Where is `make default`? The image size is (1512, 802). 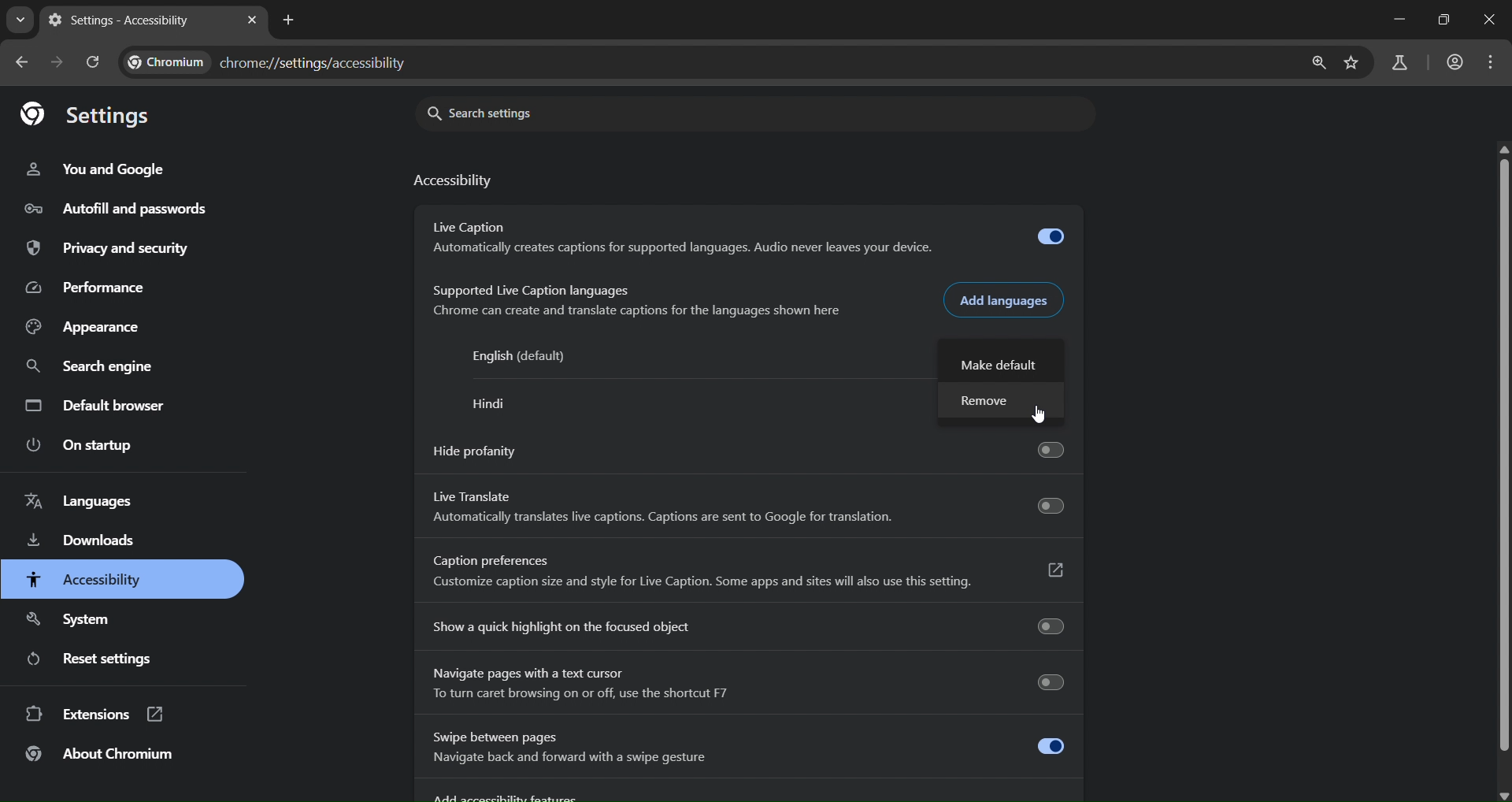
make default is located at coordinates (995, 364).